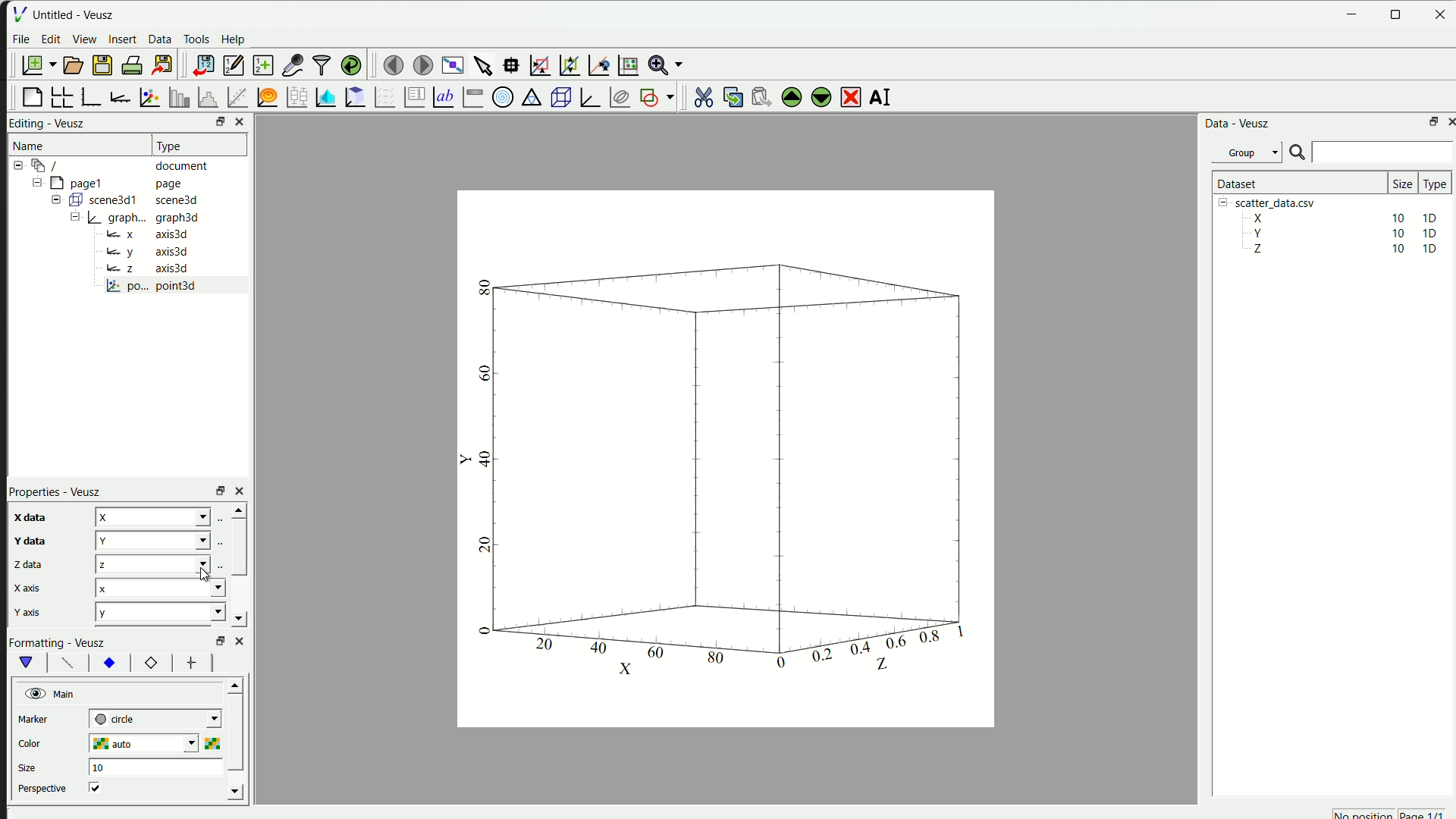  I want to click on filter data, so click(319, 64).